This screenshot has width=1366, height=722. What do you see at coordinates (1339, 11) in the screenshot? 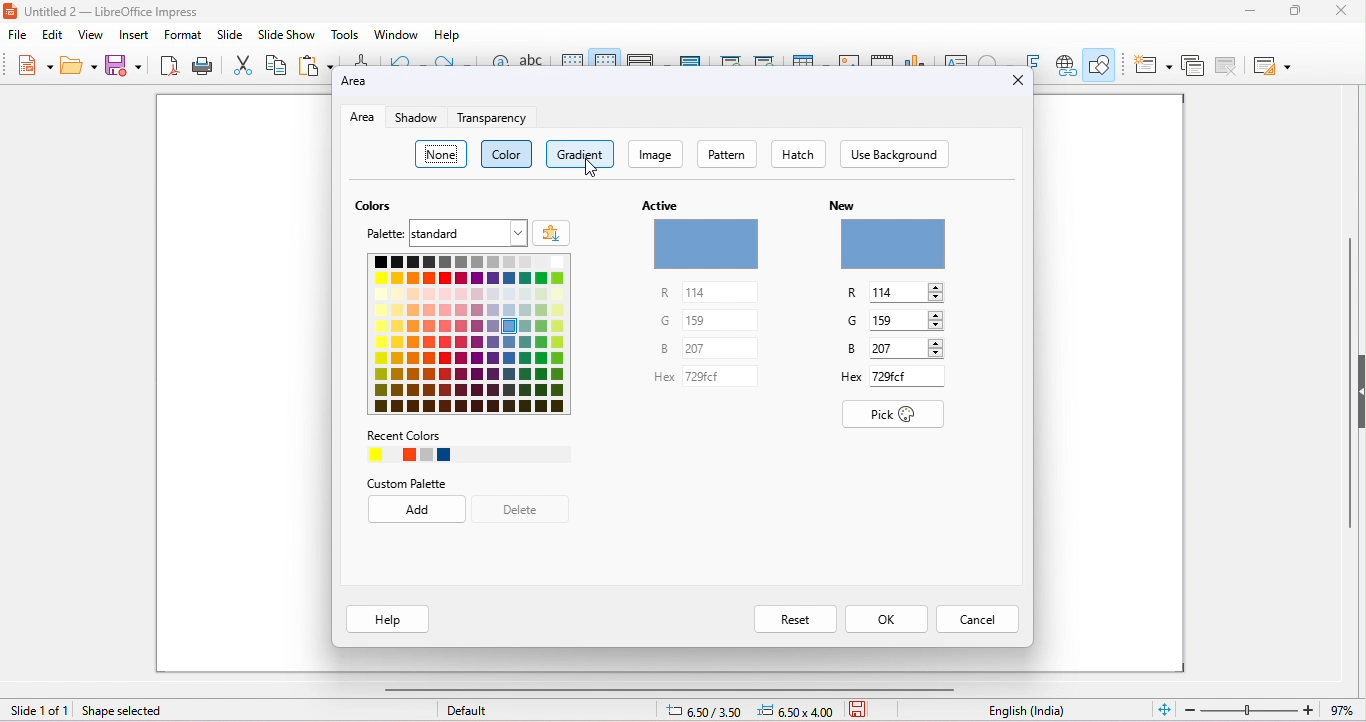
I see `close` at bounding box center [1339, 11].